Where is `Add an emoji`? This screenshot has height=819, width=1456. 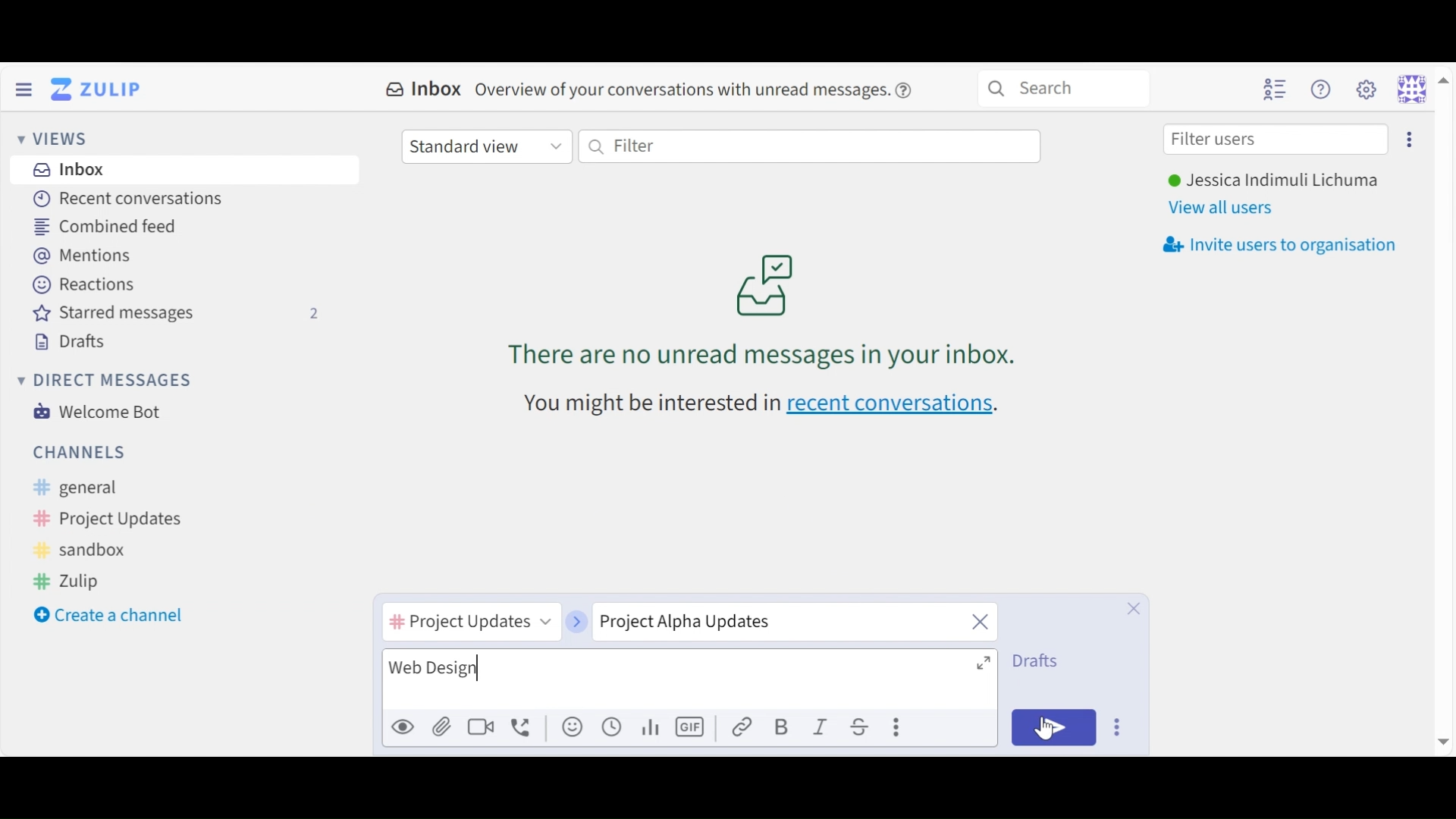 Add an emoji is located at coordinates (573, 727).